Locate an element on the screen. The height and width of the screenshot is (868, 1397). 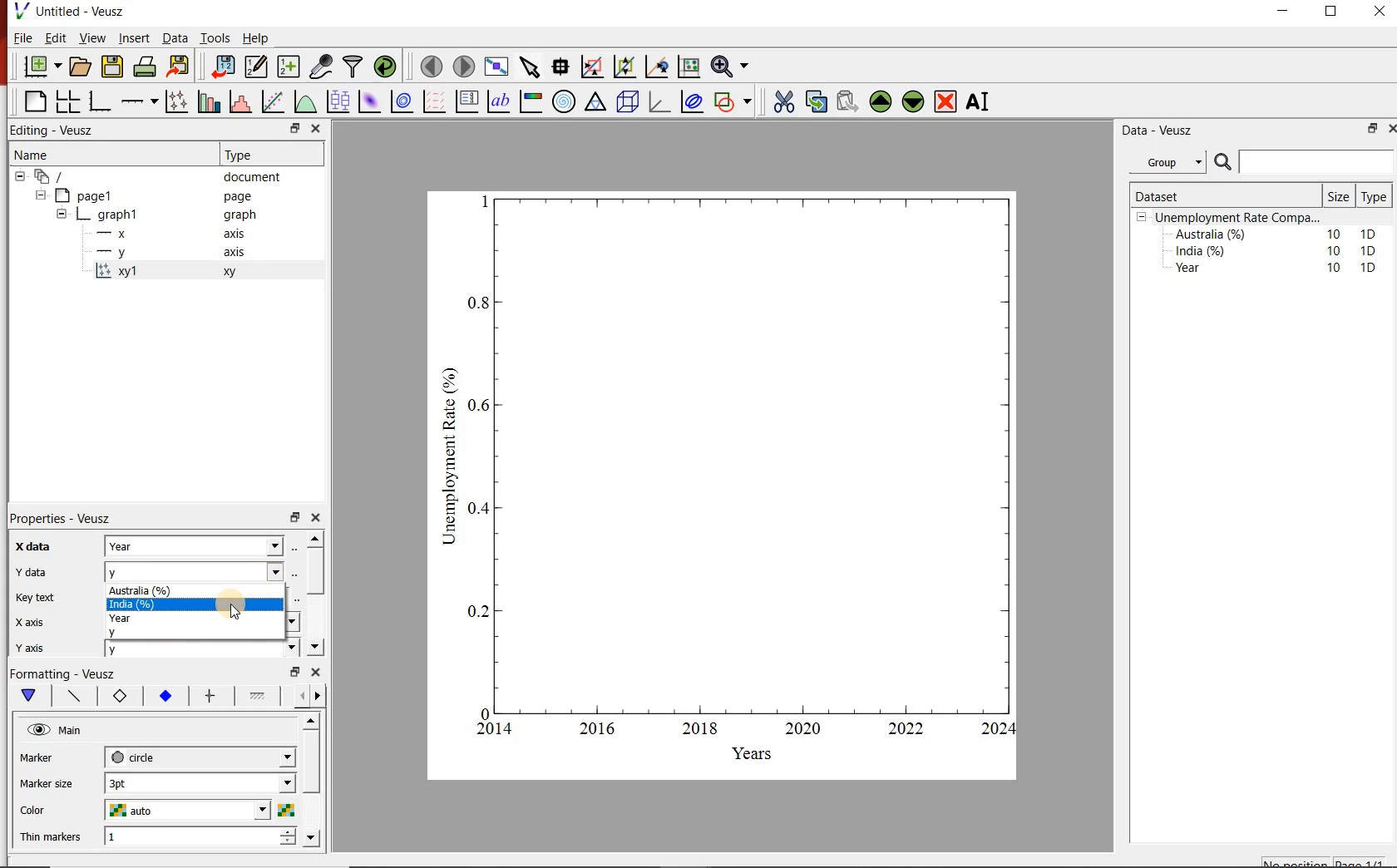
Properties - Veusz is located at coordinates (63, 520).